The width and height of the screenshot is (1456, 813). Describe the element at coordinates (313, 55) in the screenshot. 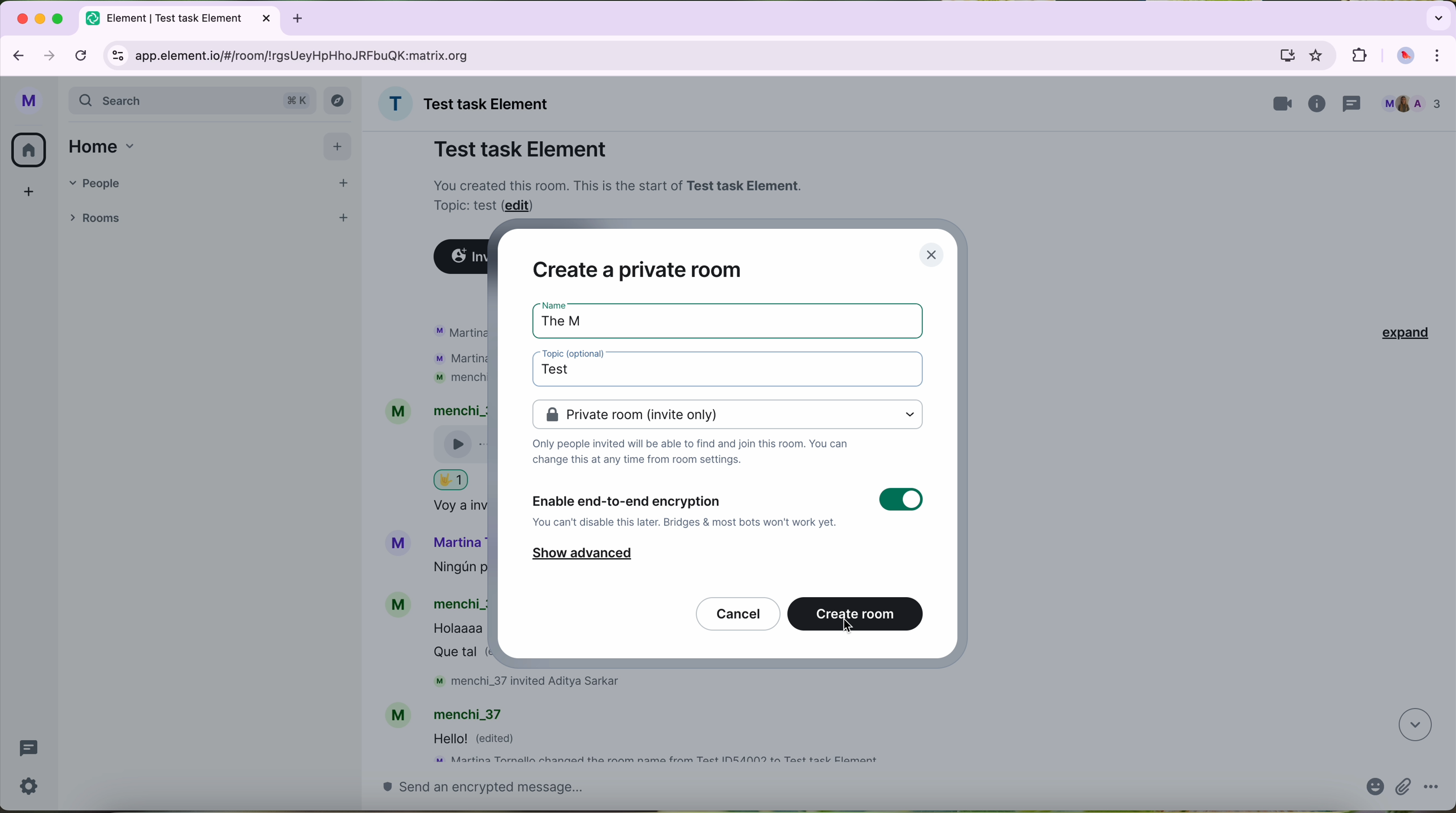

I see `URL` at that location.